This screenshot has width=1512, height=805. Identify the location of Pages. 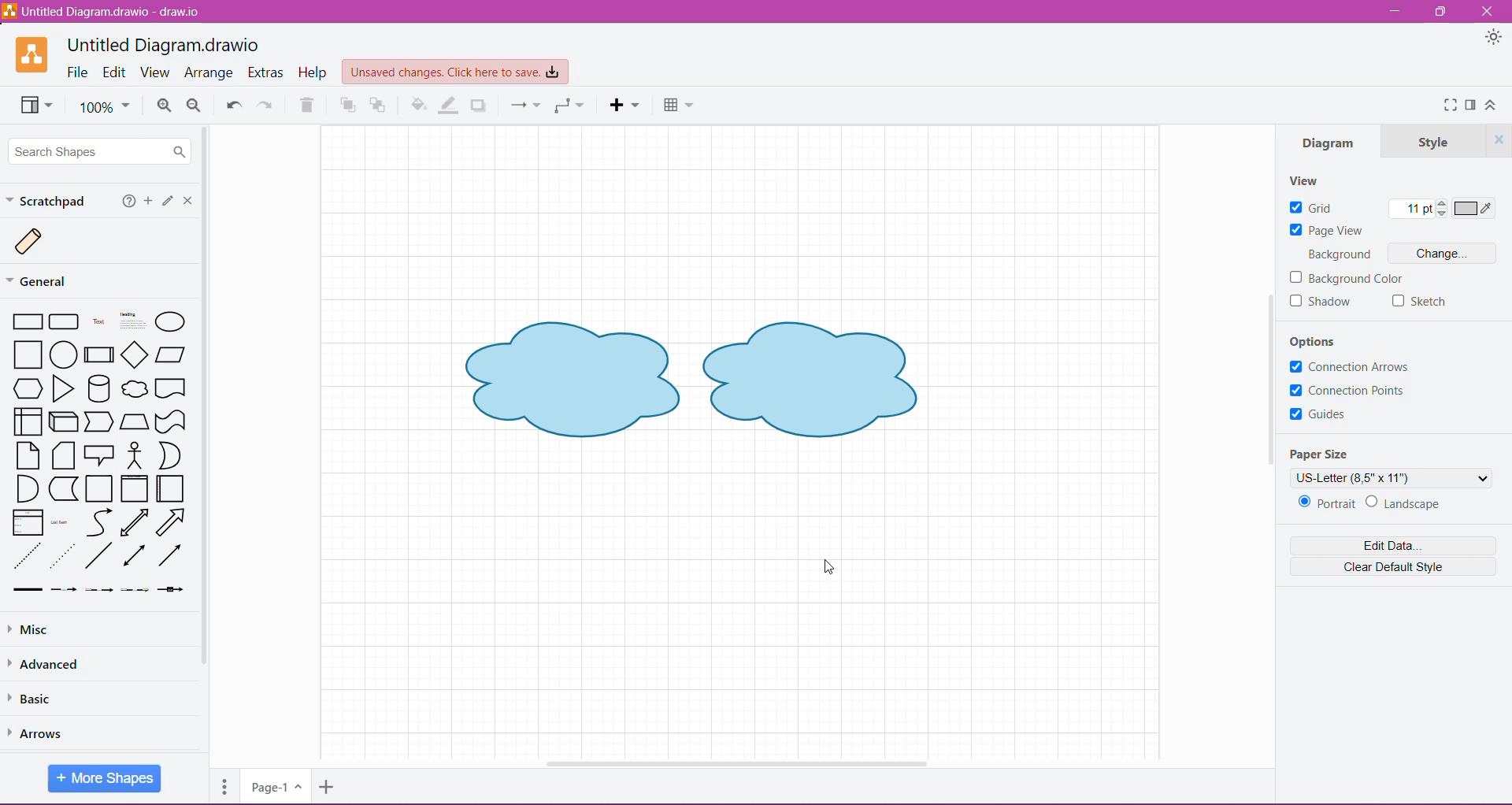
(224, 786).